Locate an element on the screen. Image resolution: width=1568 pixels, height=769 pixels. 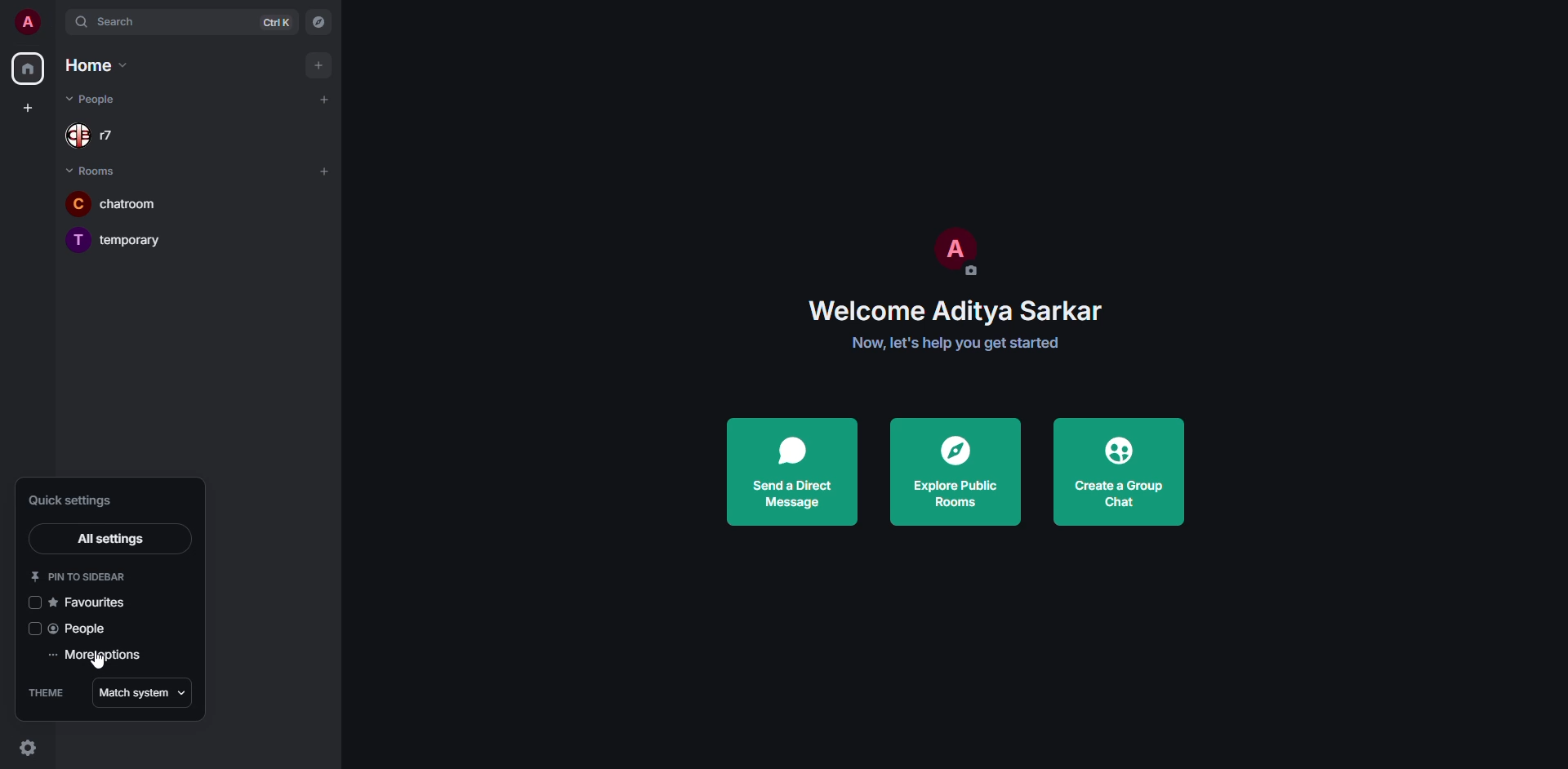
Now, let's help you get started is located at coordinates (956, 344).